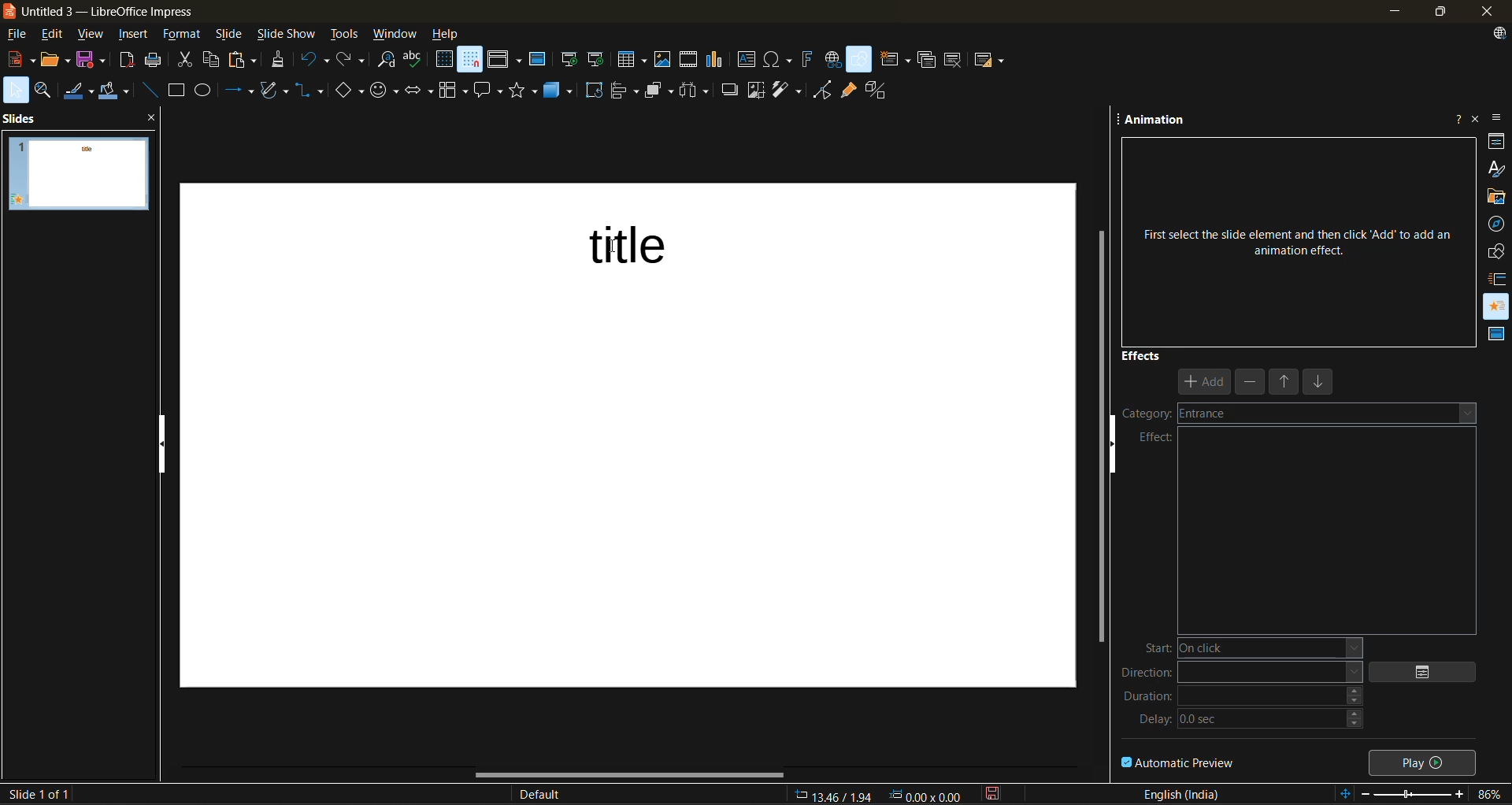 This screenshot has height=805, width=1512. What do you see at coordinates (880, 91) in the screenshot?
I see `toggle extrusion` at bounding box center [880, 91].